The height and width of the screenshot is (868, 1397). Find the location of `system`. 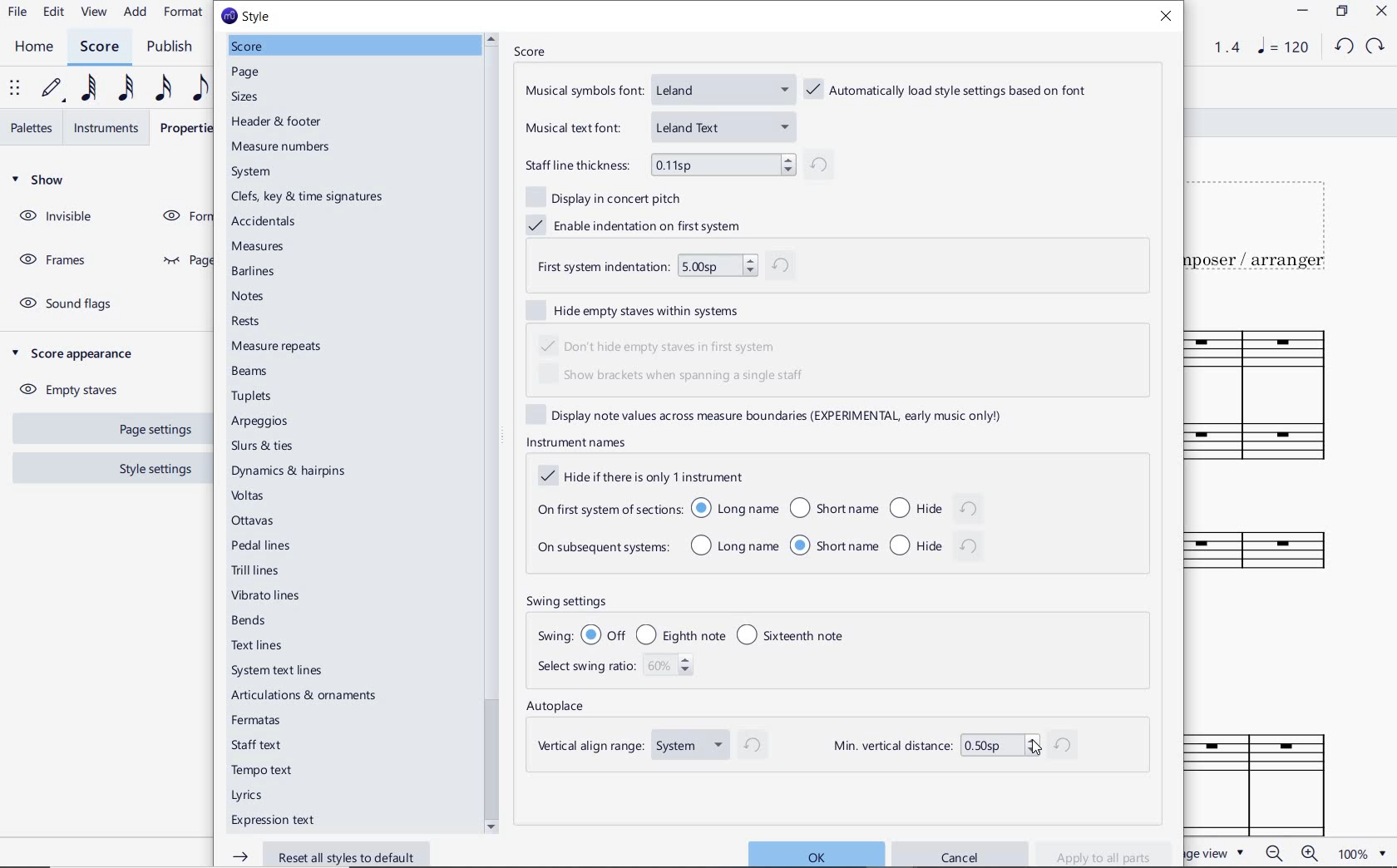

system is located at coordinates (256, 170).